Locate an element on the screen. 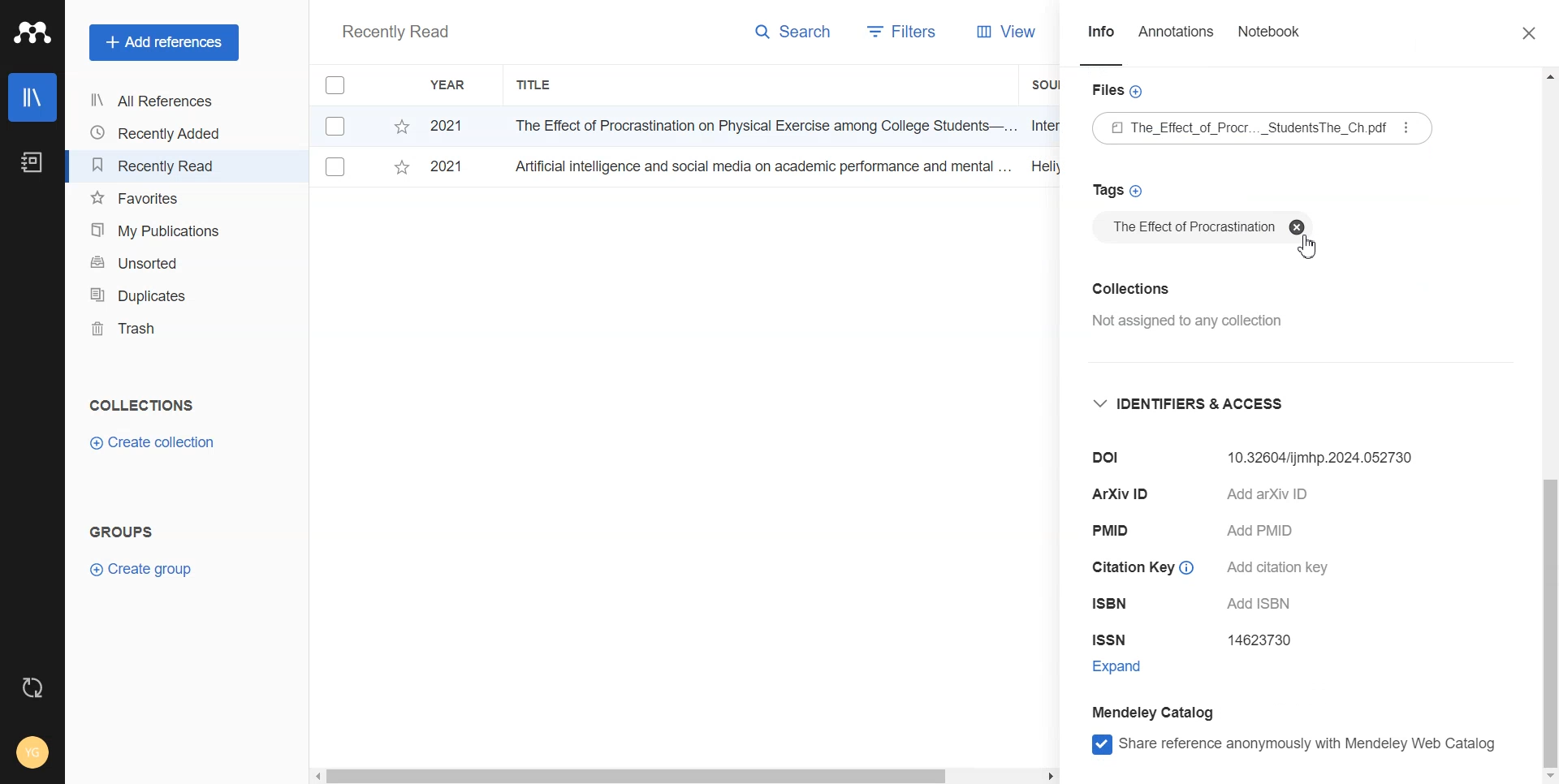 The image size is (1559, 784). All References is located at coordinates (158, 101).